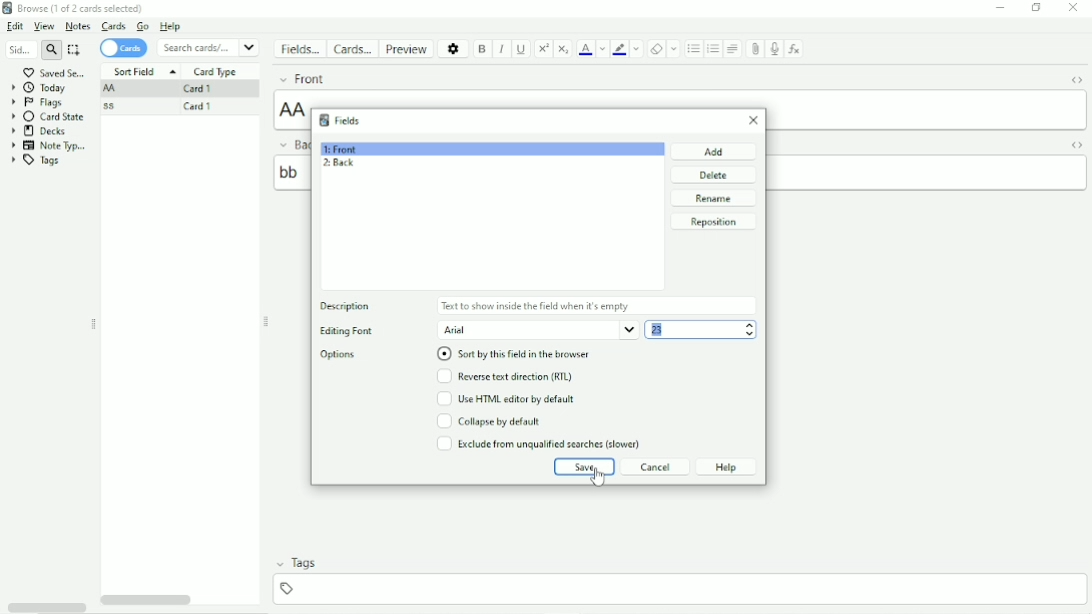 This screenshot has width=1092, height=614. I want to click on Resize, so click(267, 321).